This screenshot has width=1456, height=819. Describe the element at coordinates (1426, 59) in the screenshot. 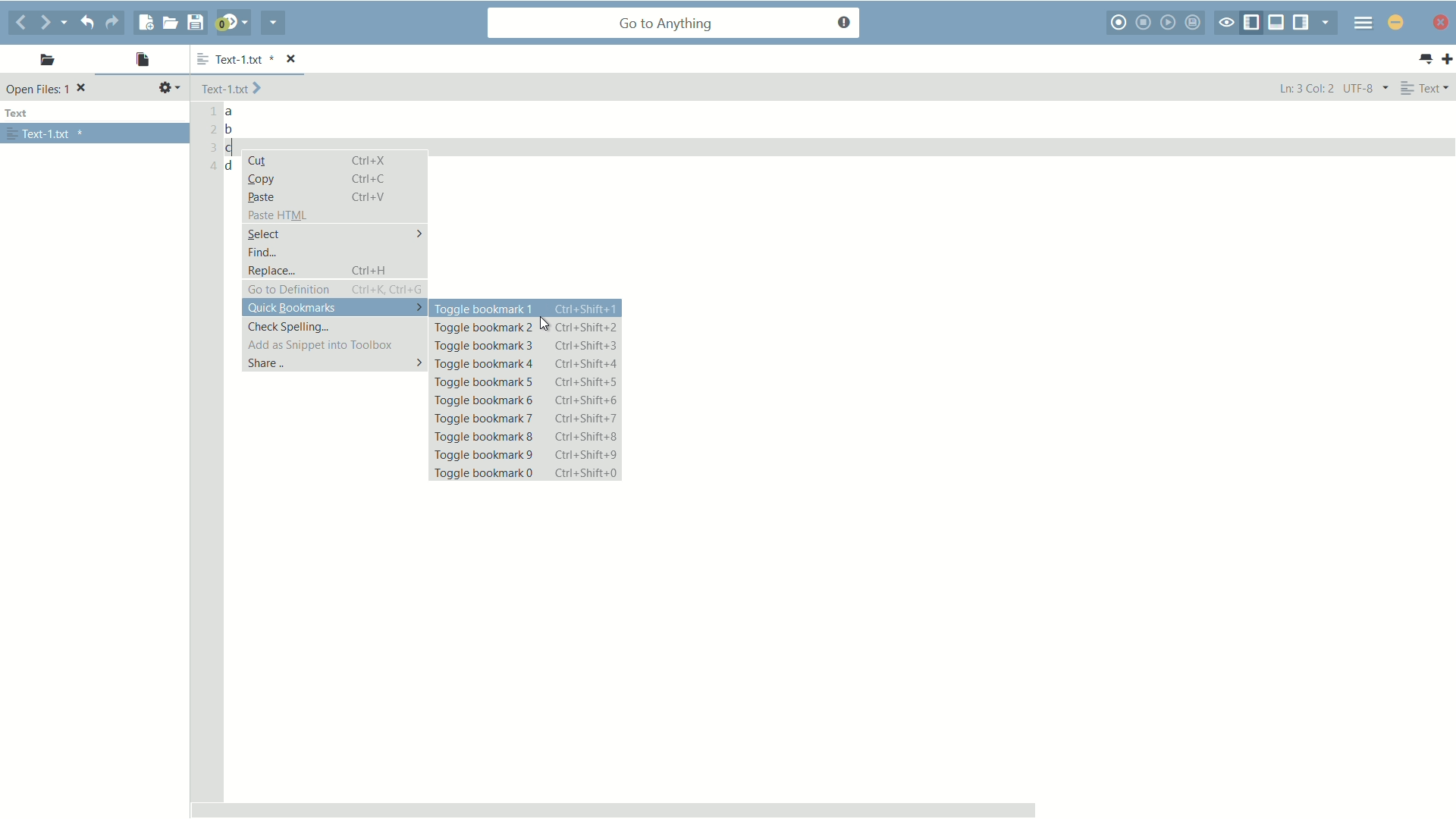

I see `all tabs` at that location.